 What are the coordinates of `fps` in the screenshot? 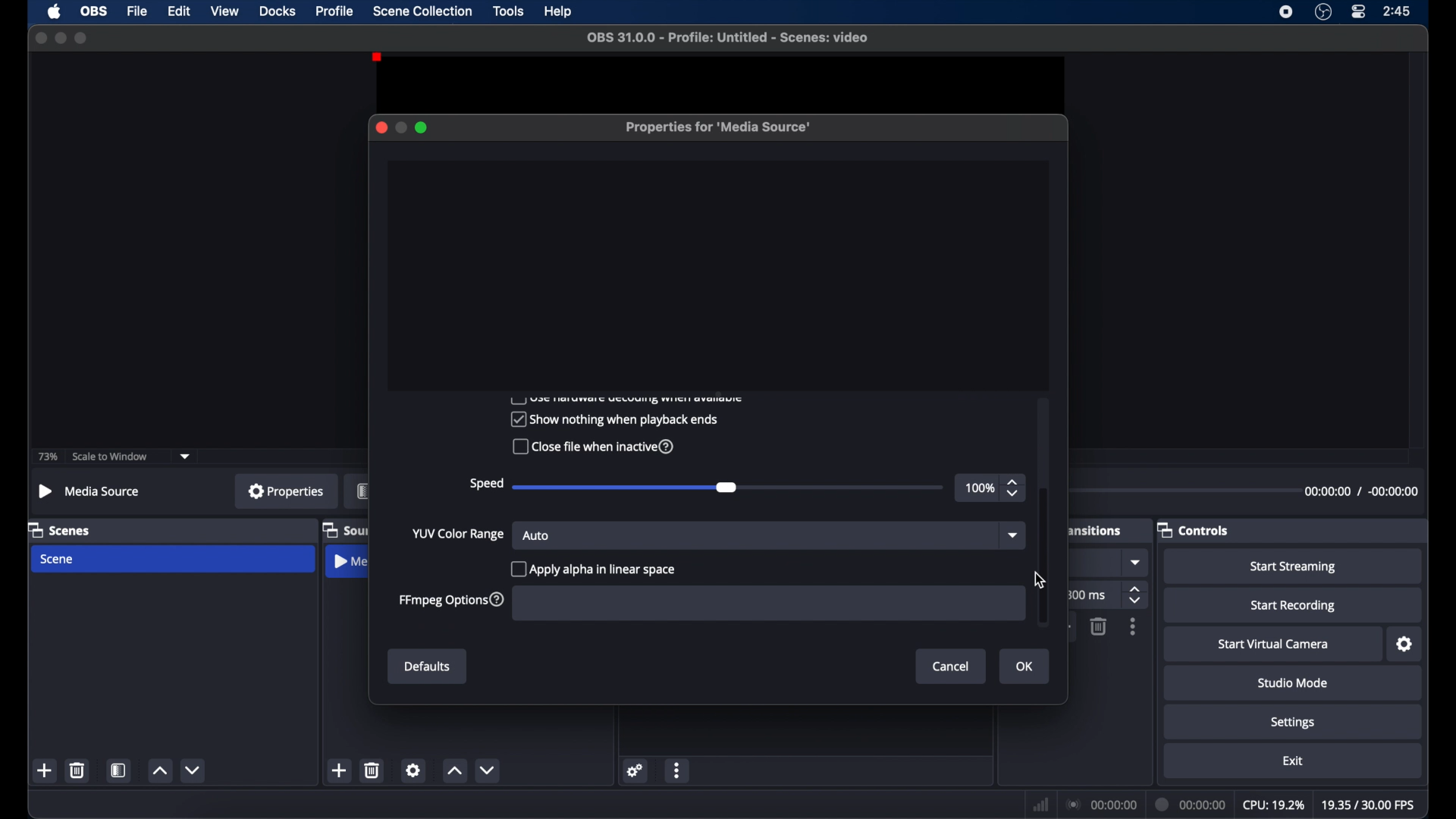 It's located at (1367, 805).